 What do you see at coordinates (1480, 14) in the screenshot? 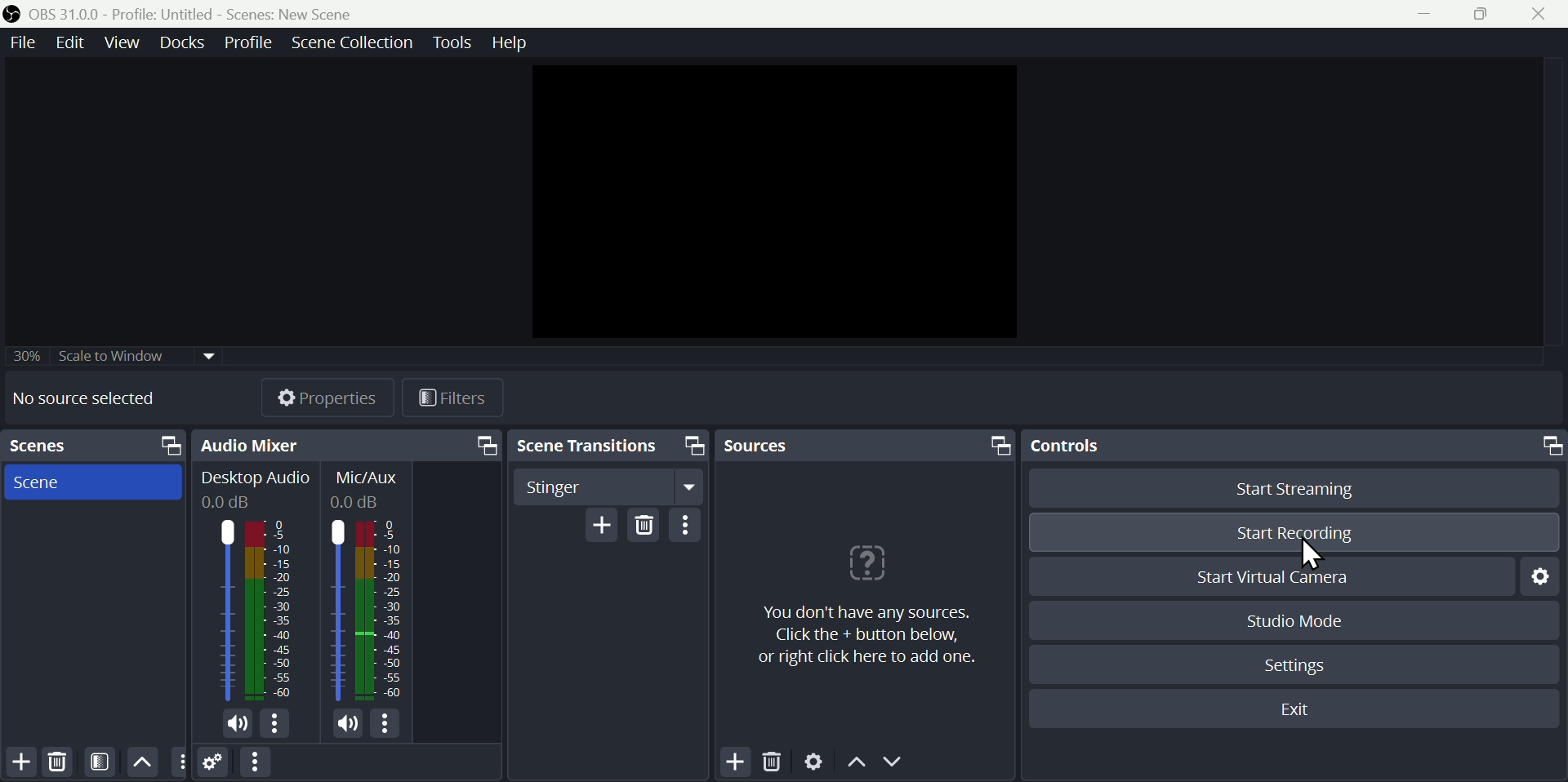
I see `maximise` at bounding box center [1480, 14].